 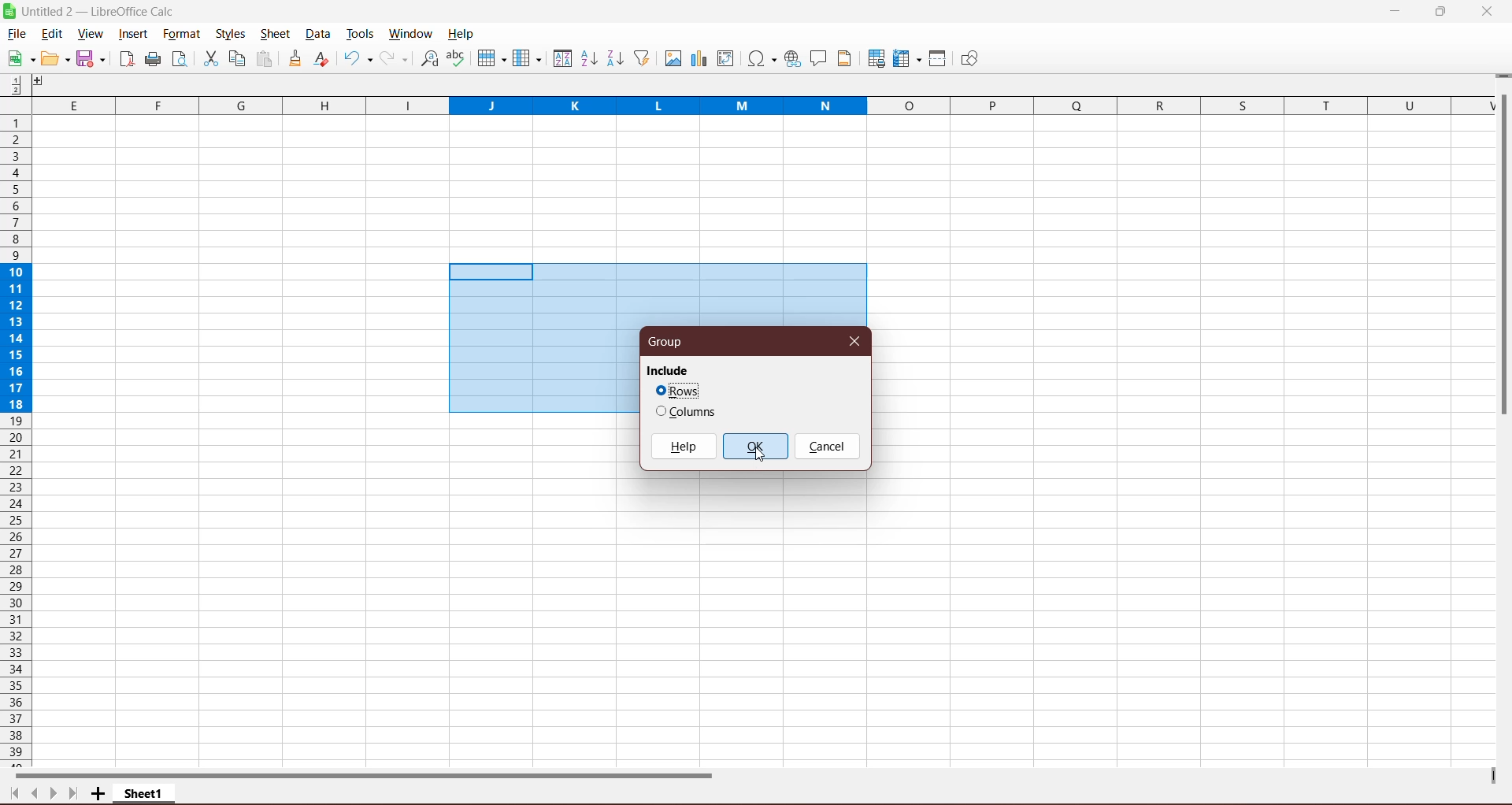 I want to click on Add New Sheet, so click(x=98, y=794).